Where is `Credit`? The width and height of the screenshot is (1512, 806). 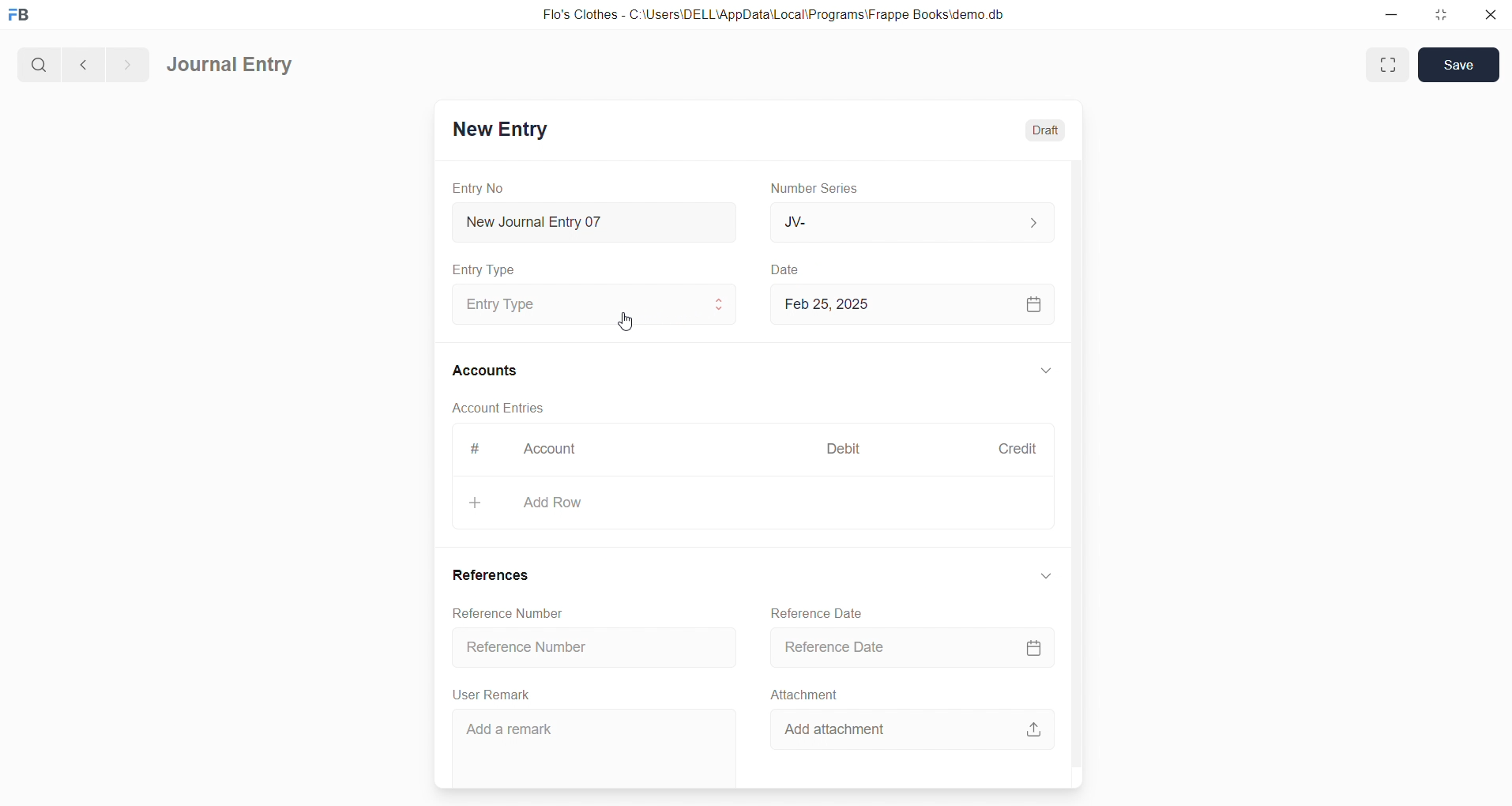 Credit is located at coordinates (1017, 448).